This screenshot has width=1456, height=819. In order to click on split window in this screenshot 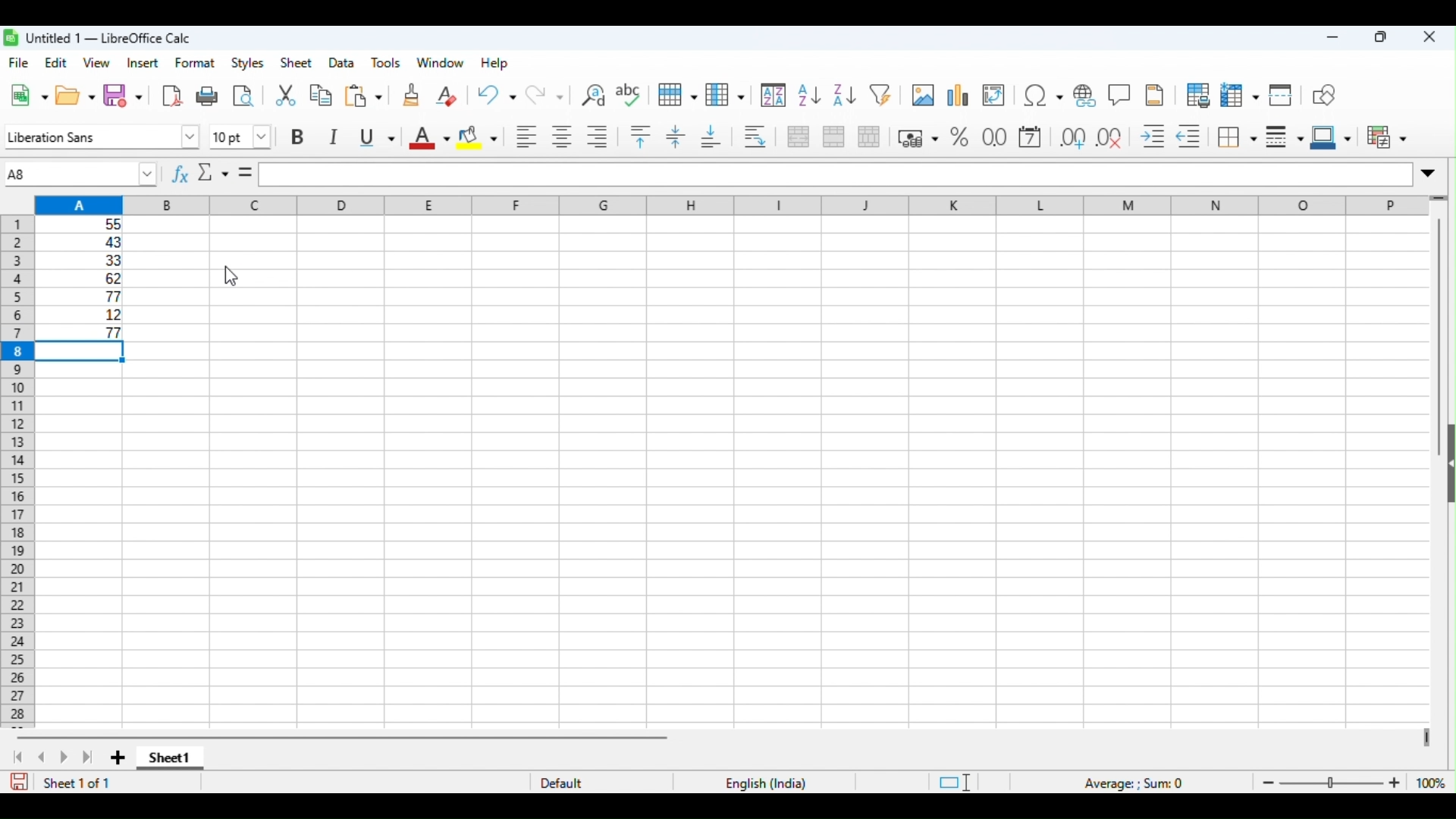, I will do `click(1284, 93)`.